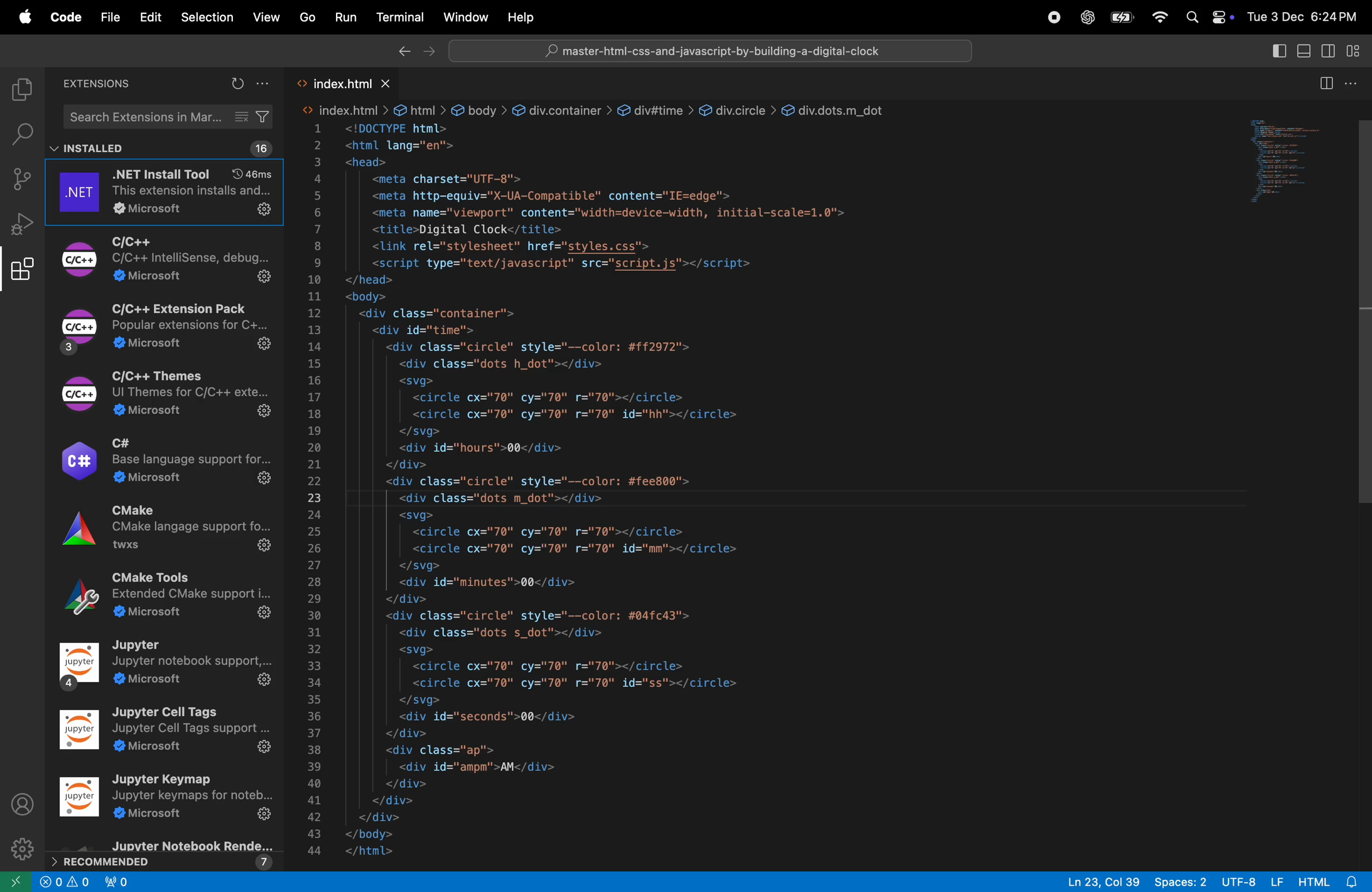 Image resolution: width=1372 pixels, height=892 pixels. What do you see at coordinates (167, 400) in the screenshot?
I see `Extension C\c++ themes` at bounding box center [167, 400].